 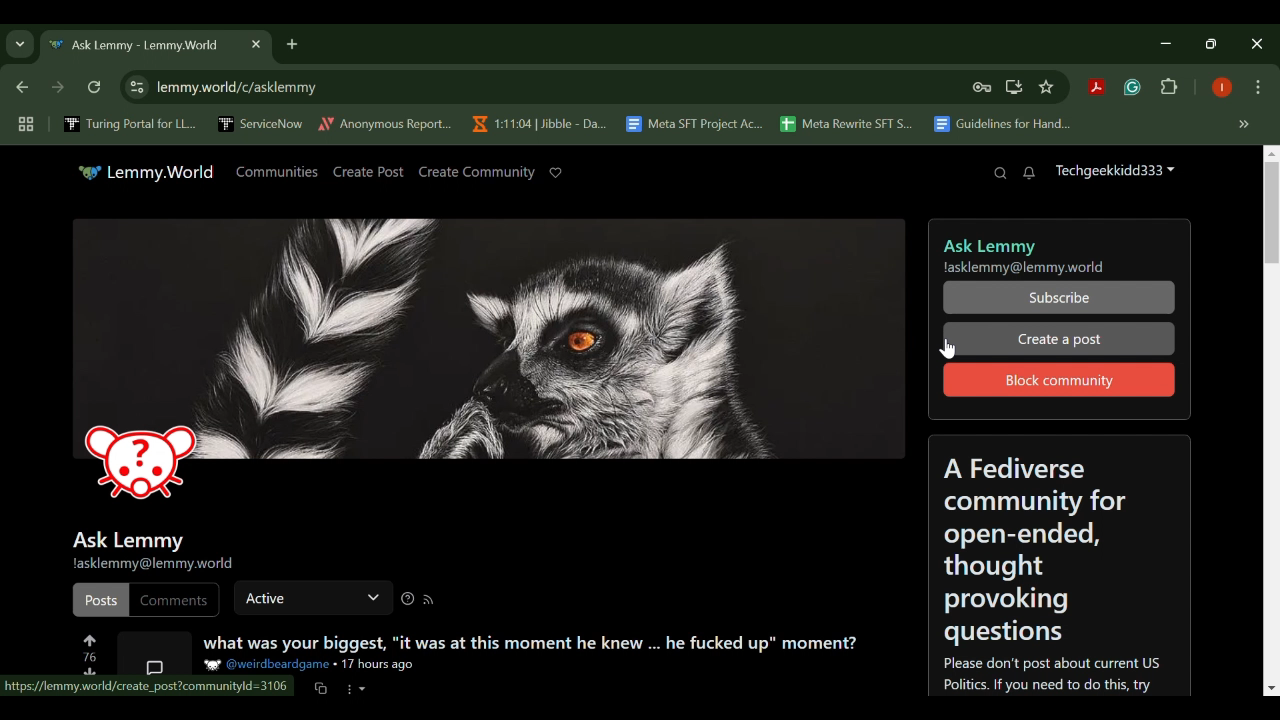 What do you see at coordinates (406, 599) in the screenshot?
I see `Sorting Help` at bounding box center [406, 599].